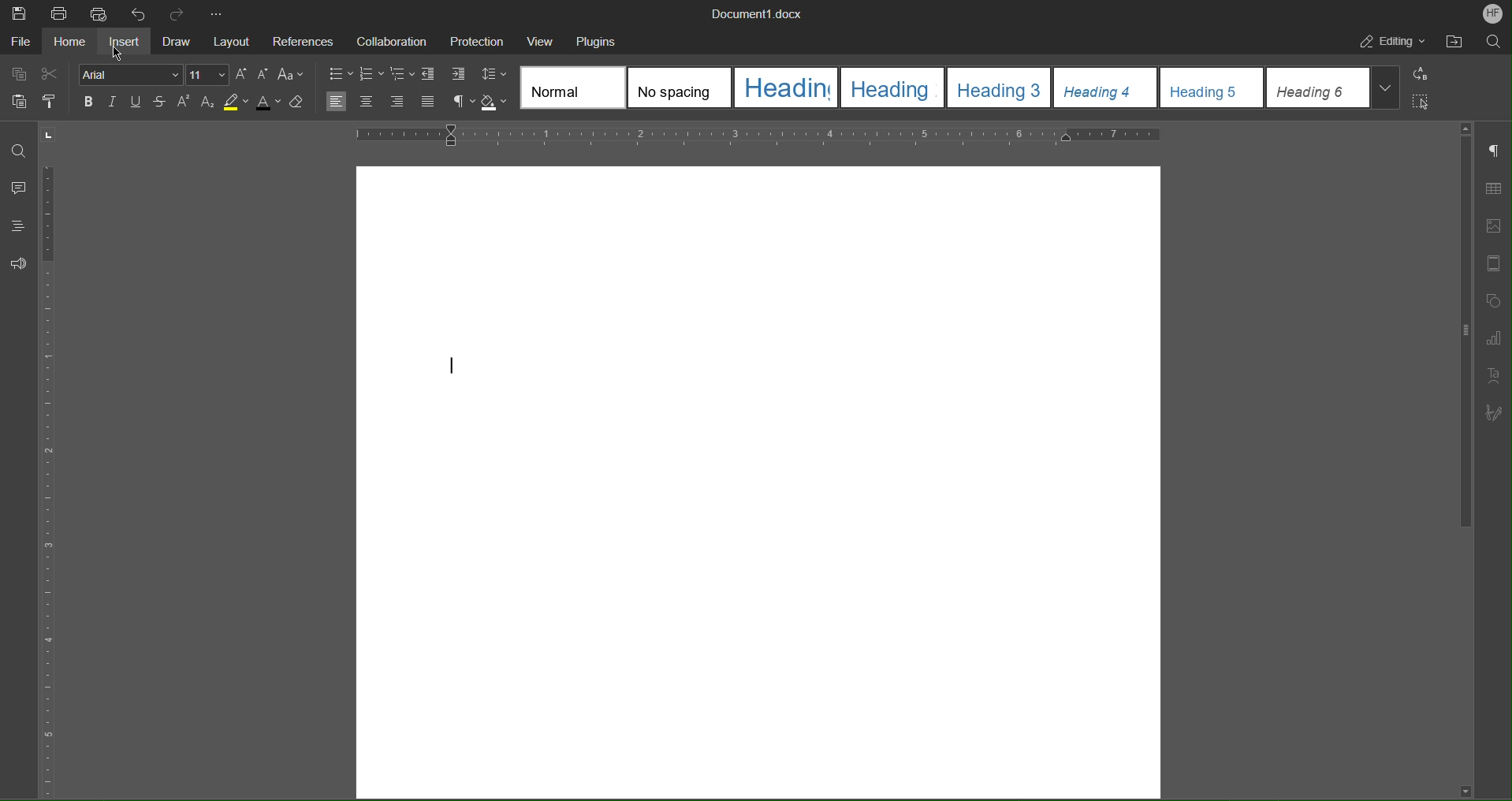  What do you see at coordinates (787, 87) in the screenshot?
I see `Heading 1` at bounding box center [787, 87].